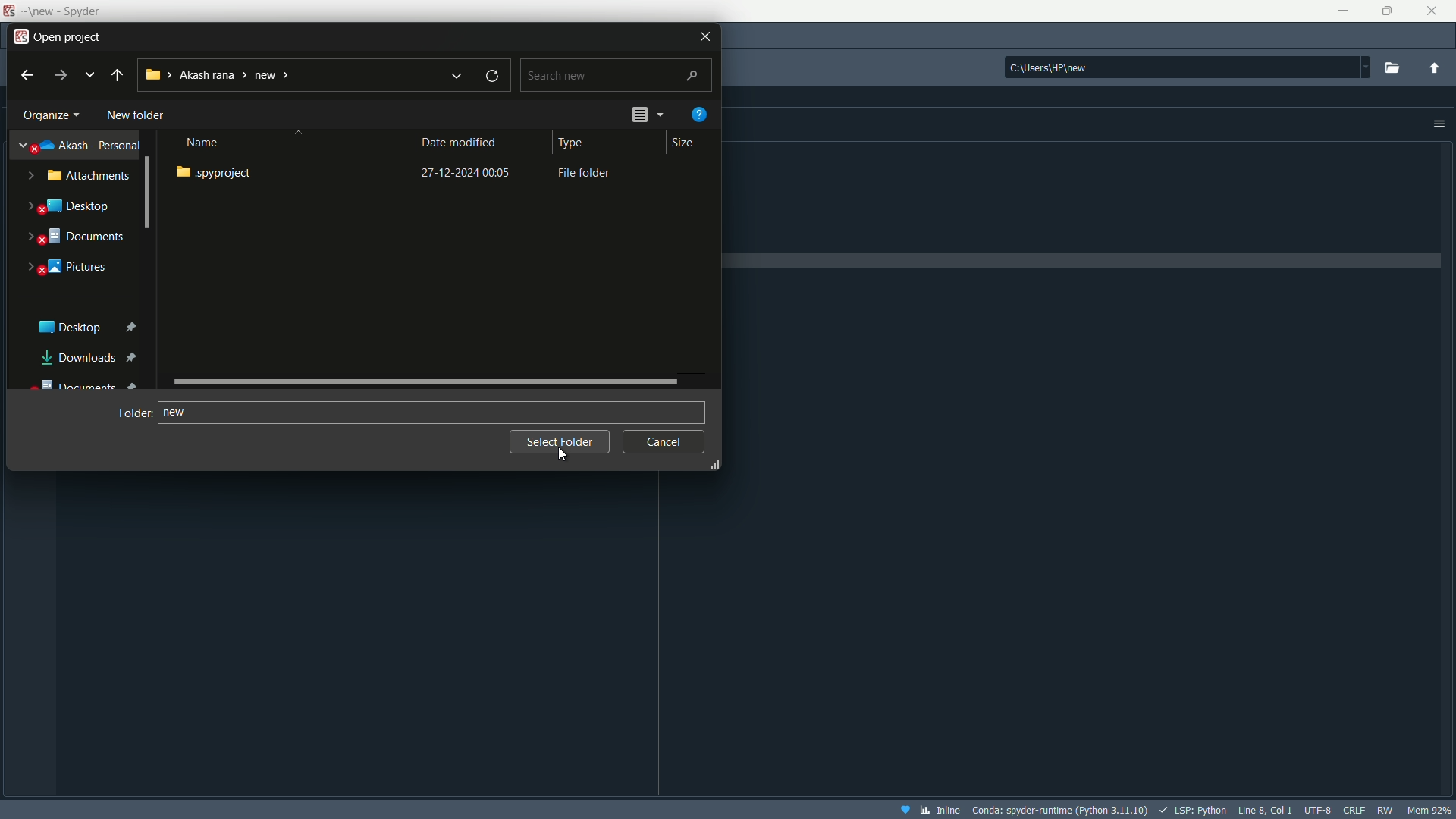  I want to click on cursor position, so click(1263, 808).